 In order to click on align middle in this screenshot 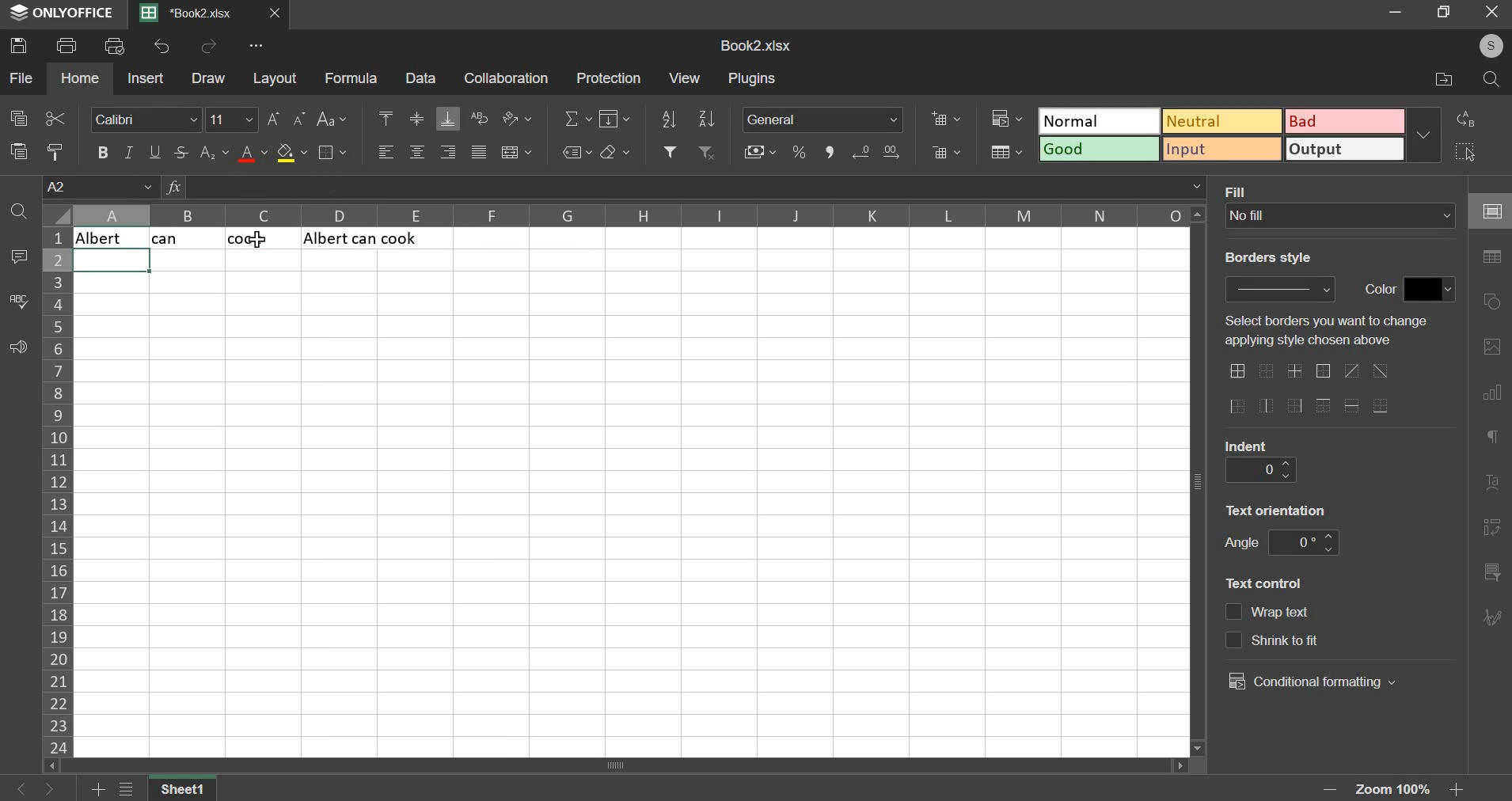, I will do `click(419, 119)`.